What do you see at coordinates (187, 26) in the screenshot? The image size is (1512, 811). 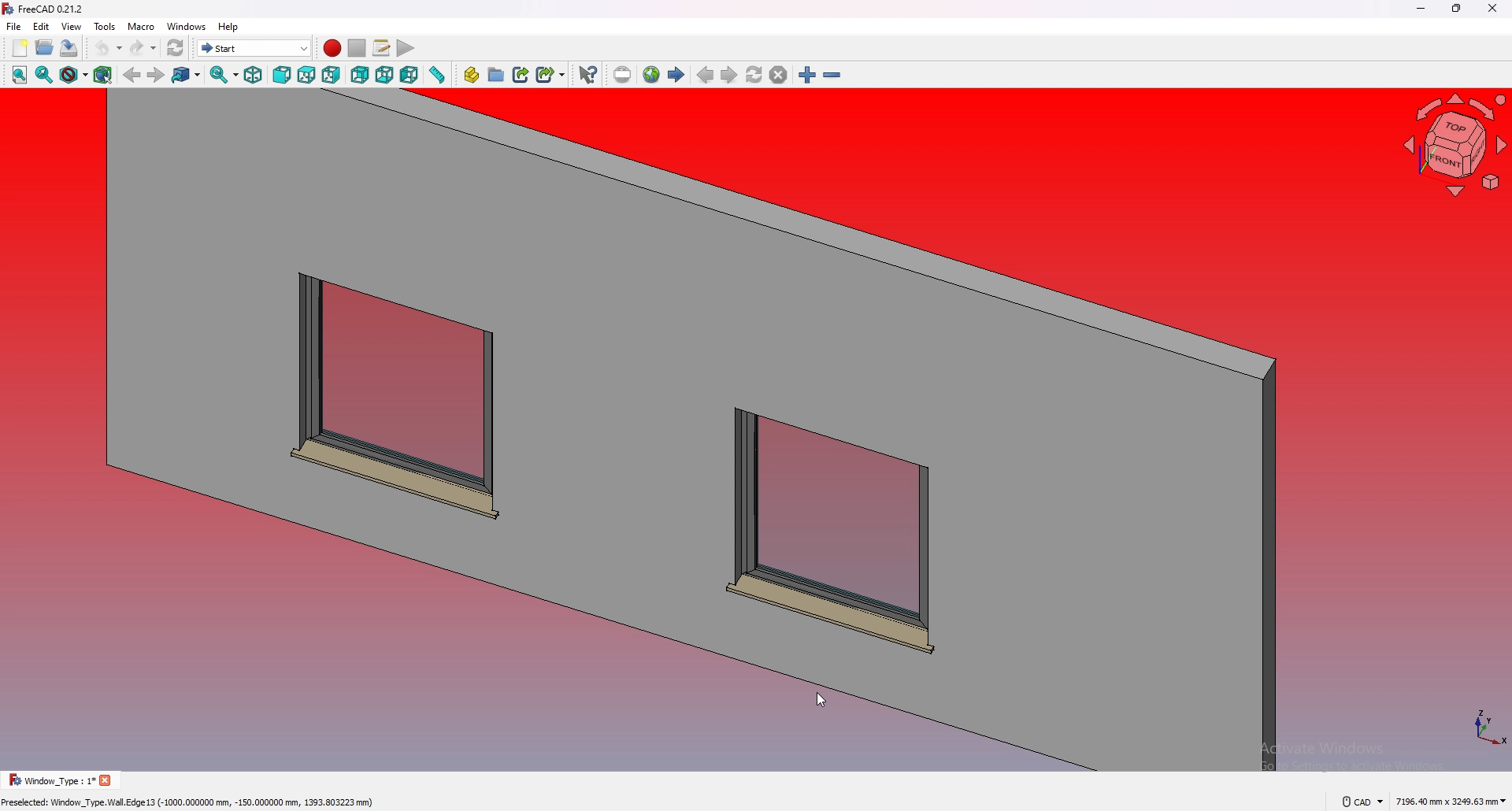 I see `windows` at bounding box center [187, 26].